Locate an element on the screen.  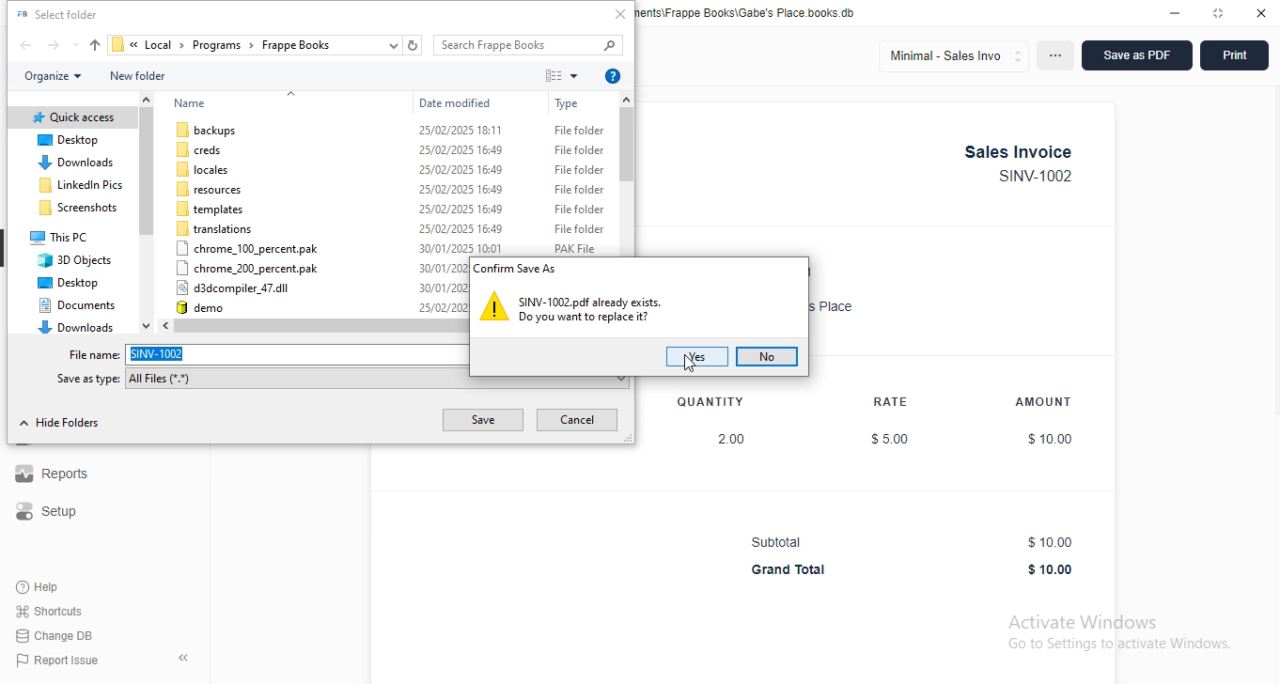
setup is located at coordinates (47, 511).